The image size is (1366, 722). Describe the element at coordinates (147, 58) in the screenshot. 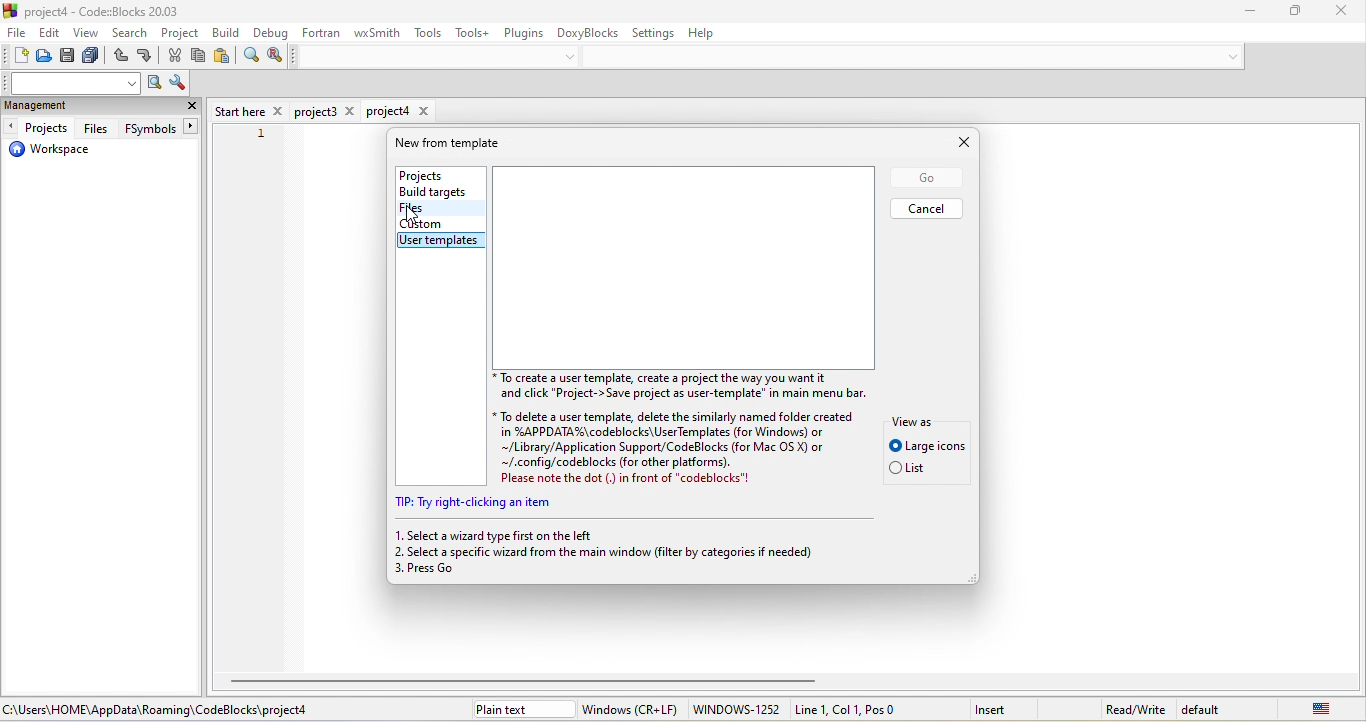

I see `redo` at that location.